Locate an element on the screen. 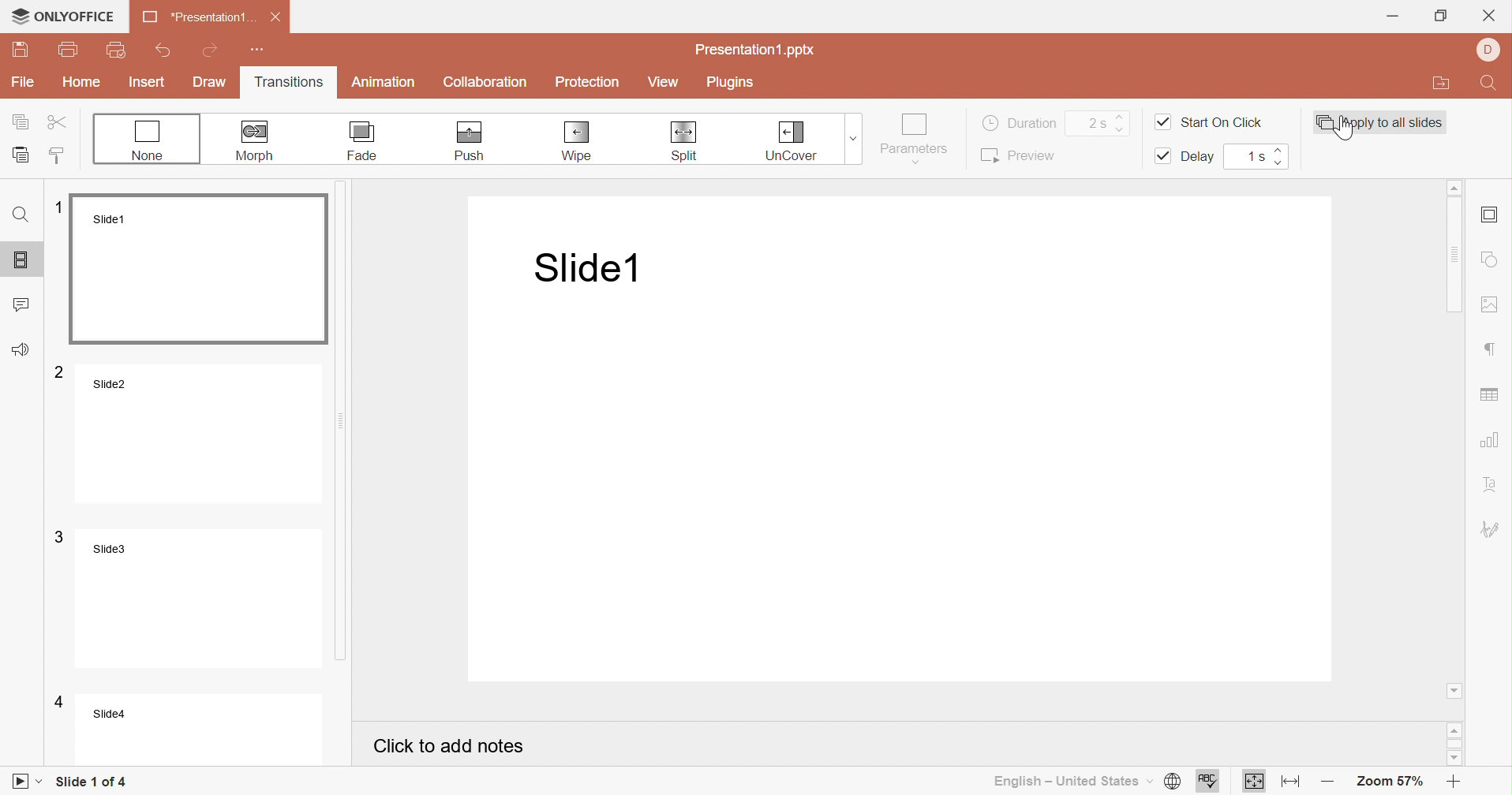 This screenshot has height=795, width=1512. Slide1 is located at coordinates (194, 268).